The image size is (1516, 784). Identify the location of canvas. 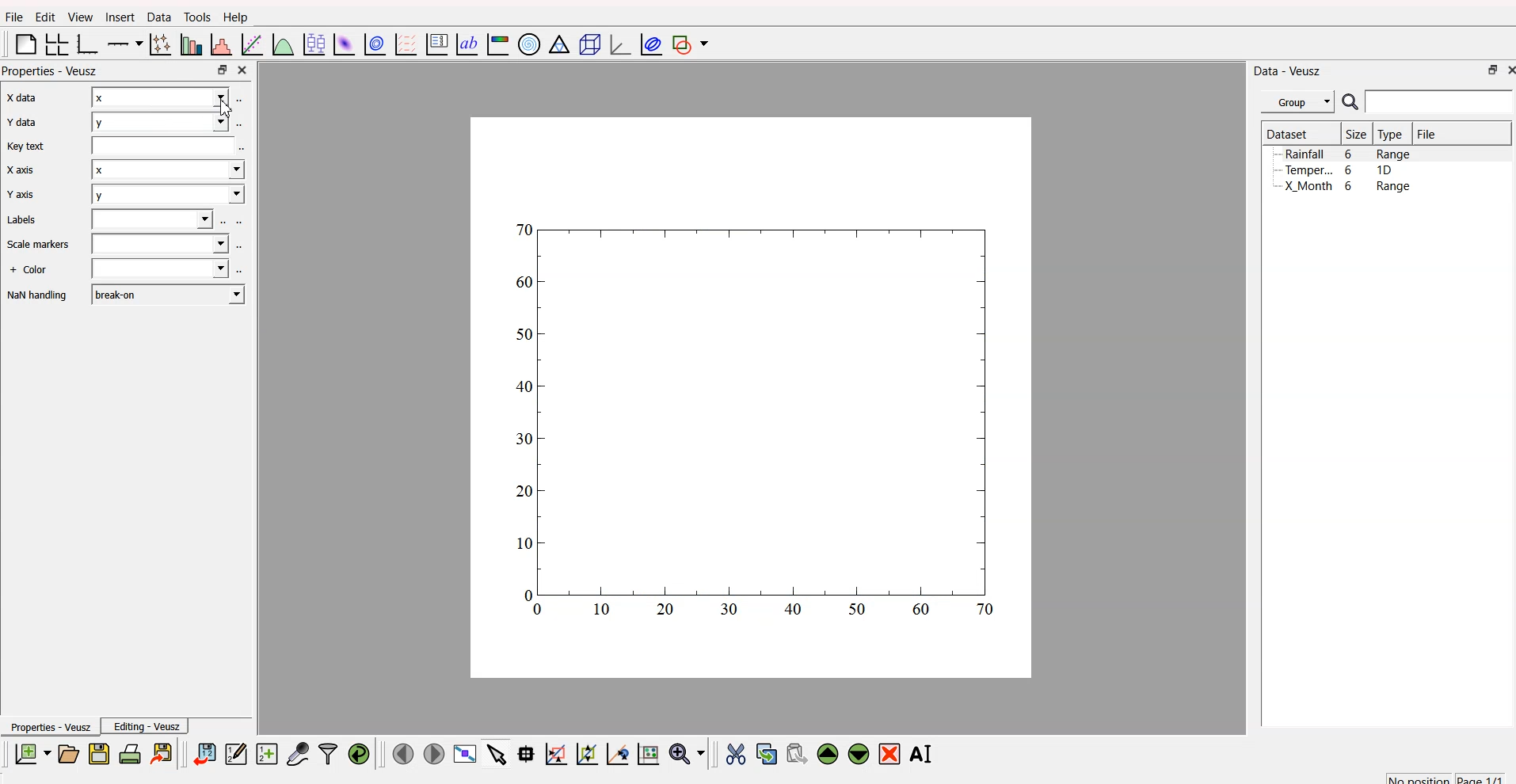
(752, 400).